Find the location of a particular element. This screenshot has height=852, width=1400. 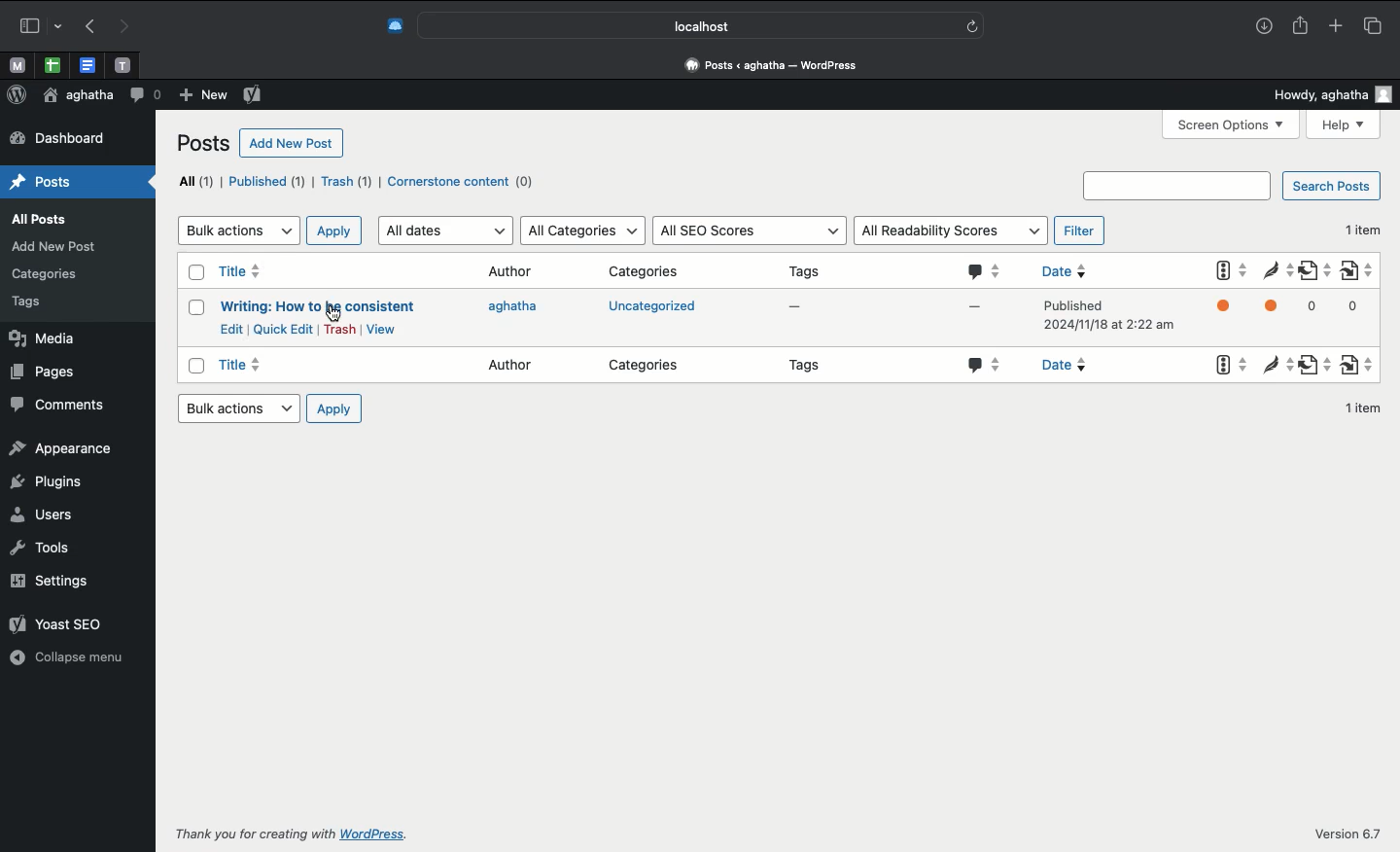

Add new post is located at coordinates (292, 143).